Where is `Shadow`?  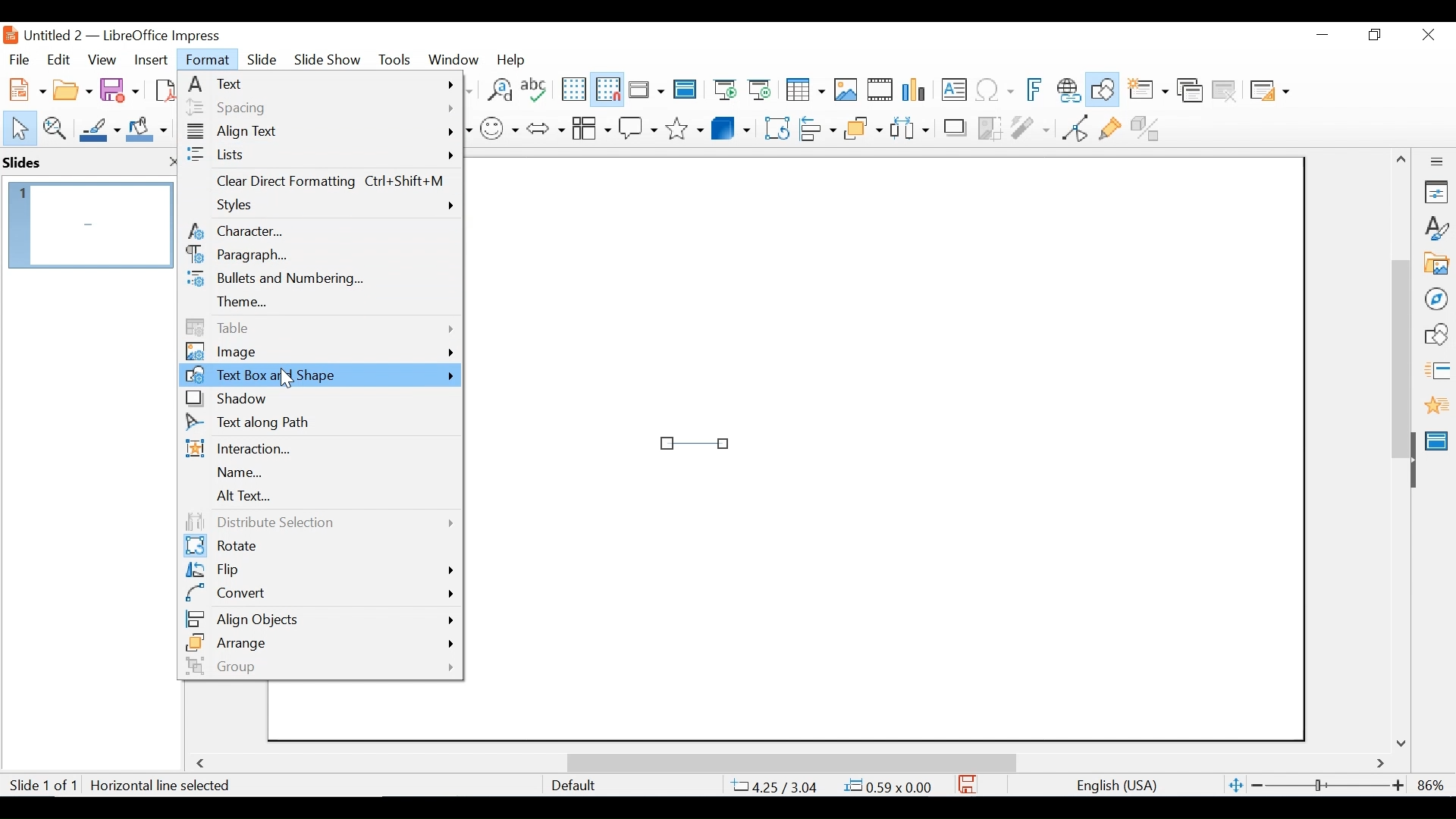 Shadow is located at coordinates (319, 399).